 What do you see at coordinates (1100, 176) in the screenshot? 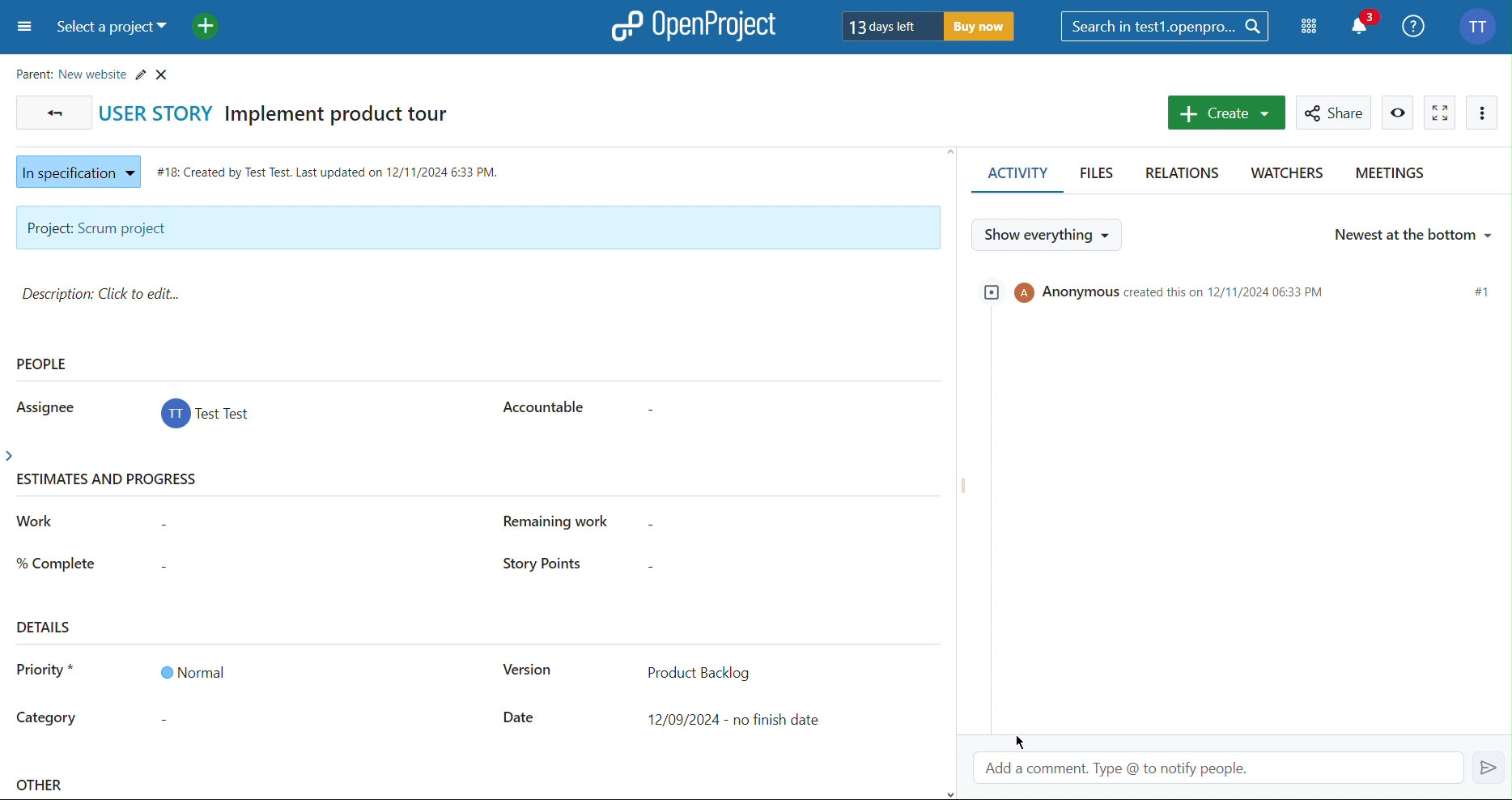
I see `Files` at bounding box center [1100, 176].